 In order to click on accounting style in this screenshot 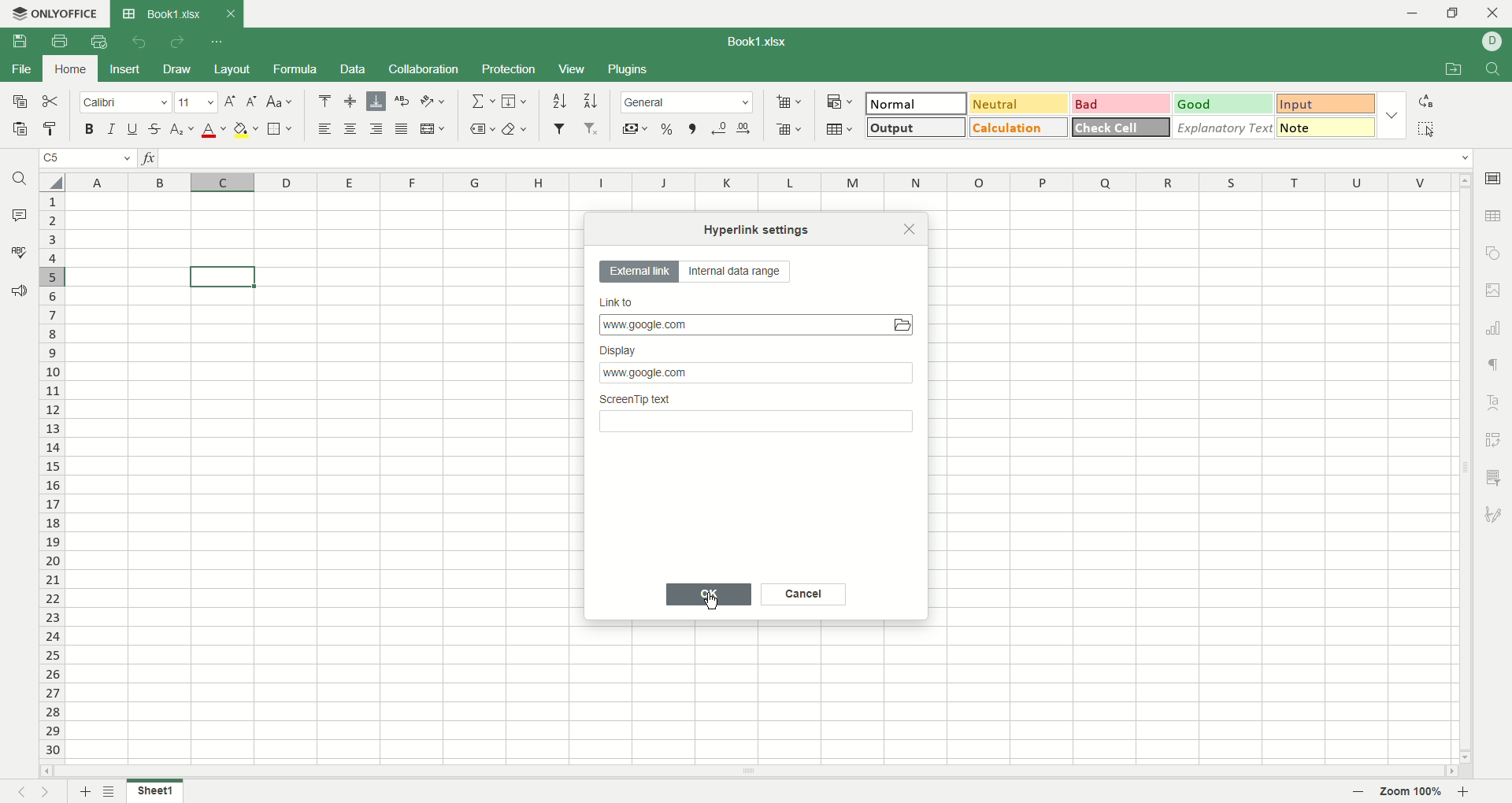, I will do `click(635, 128)`.